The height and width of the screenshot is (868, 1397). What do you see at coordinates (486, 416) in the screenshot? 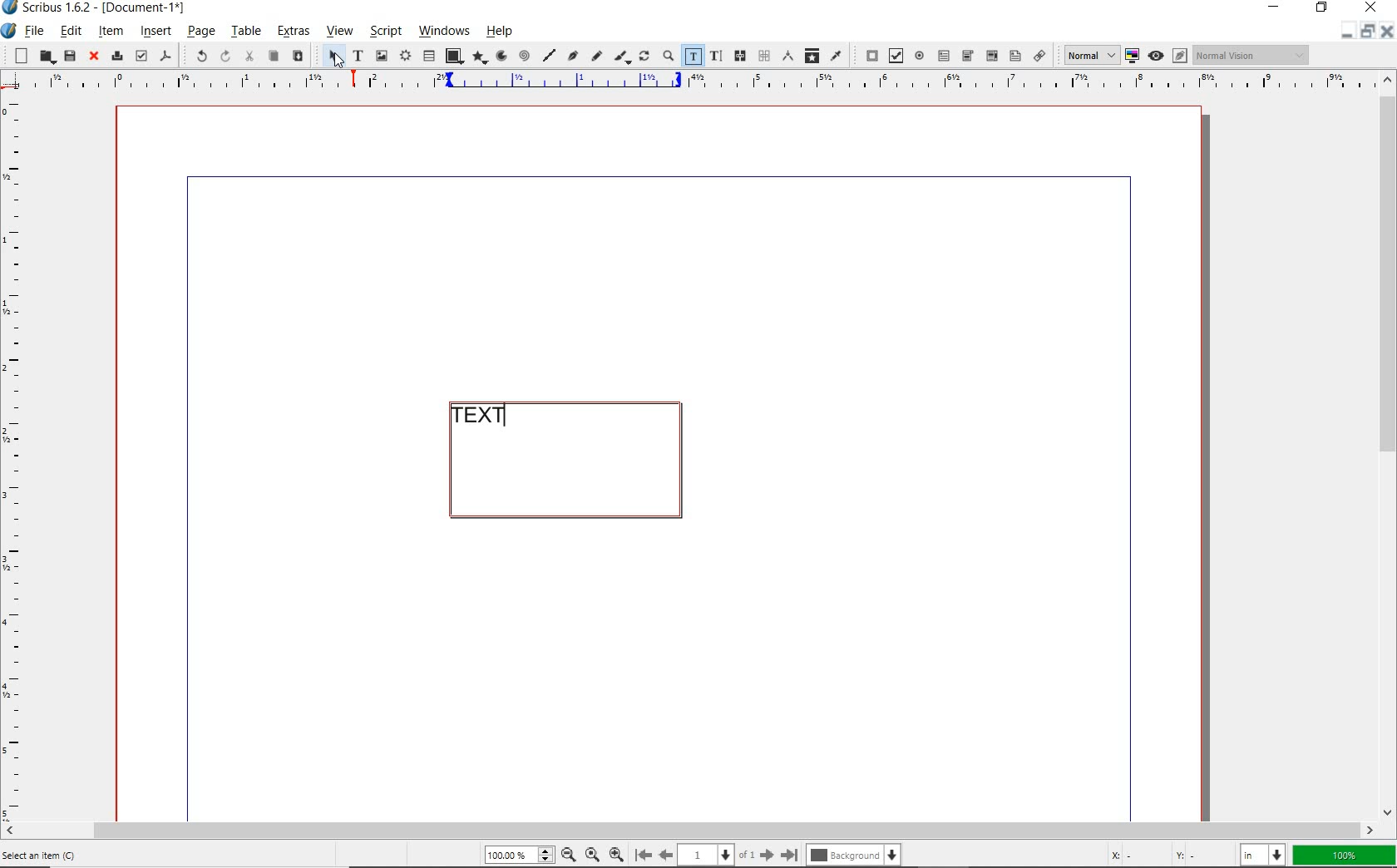
I see `TEXT` at bounding box center [486, 416].